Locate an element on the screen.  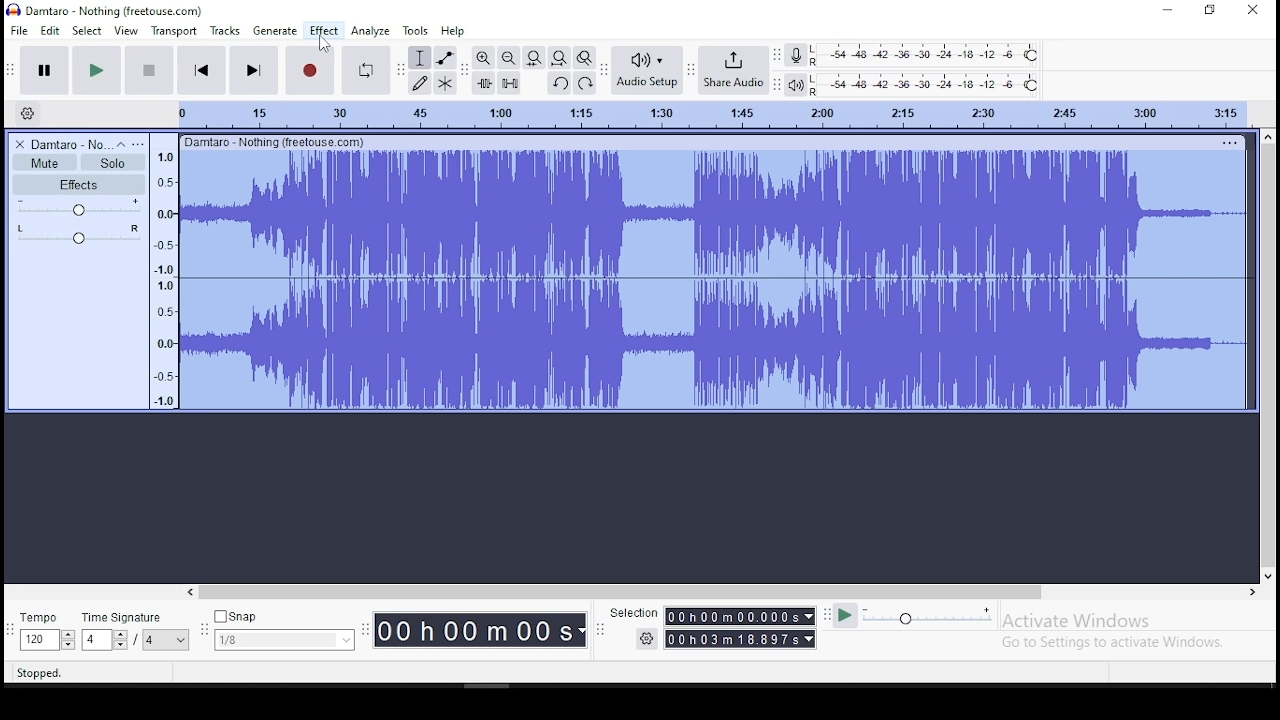
zoom toggle is located at coordinates (584, 57).